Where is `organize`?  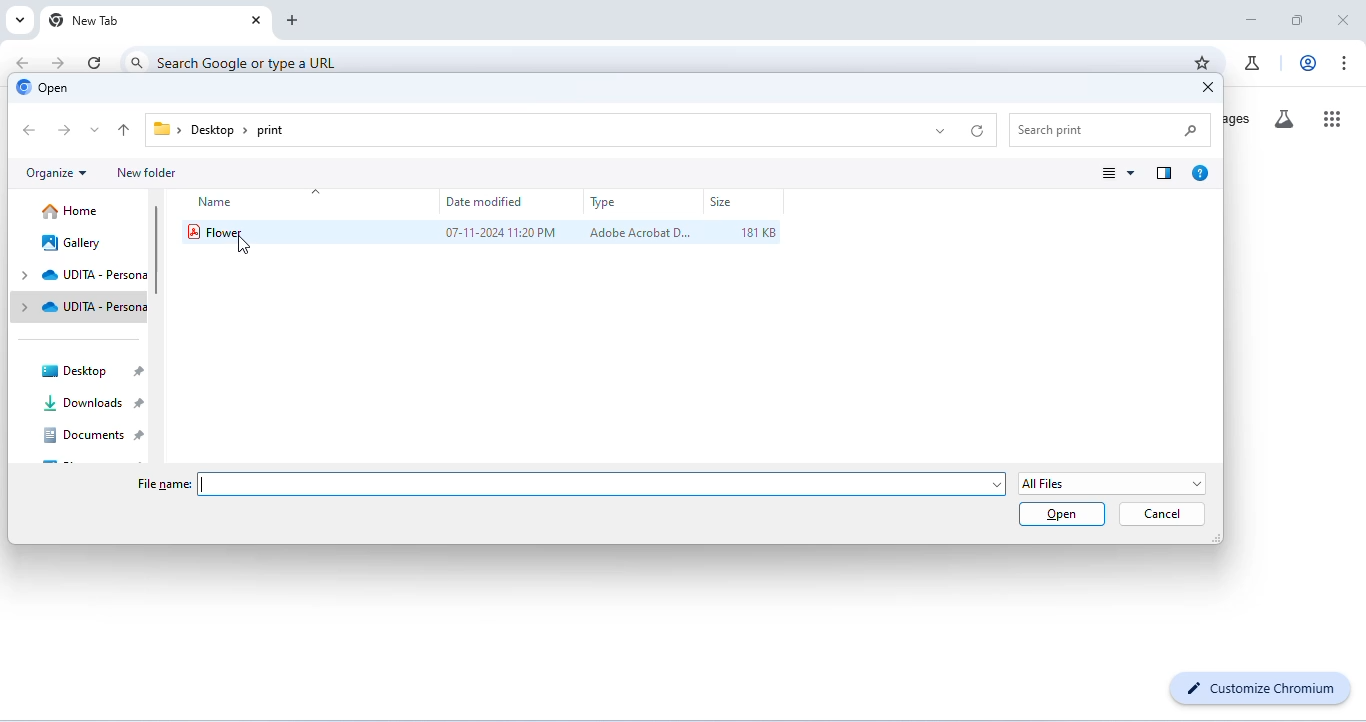 organize is located at coordinates (55, 172).